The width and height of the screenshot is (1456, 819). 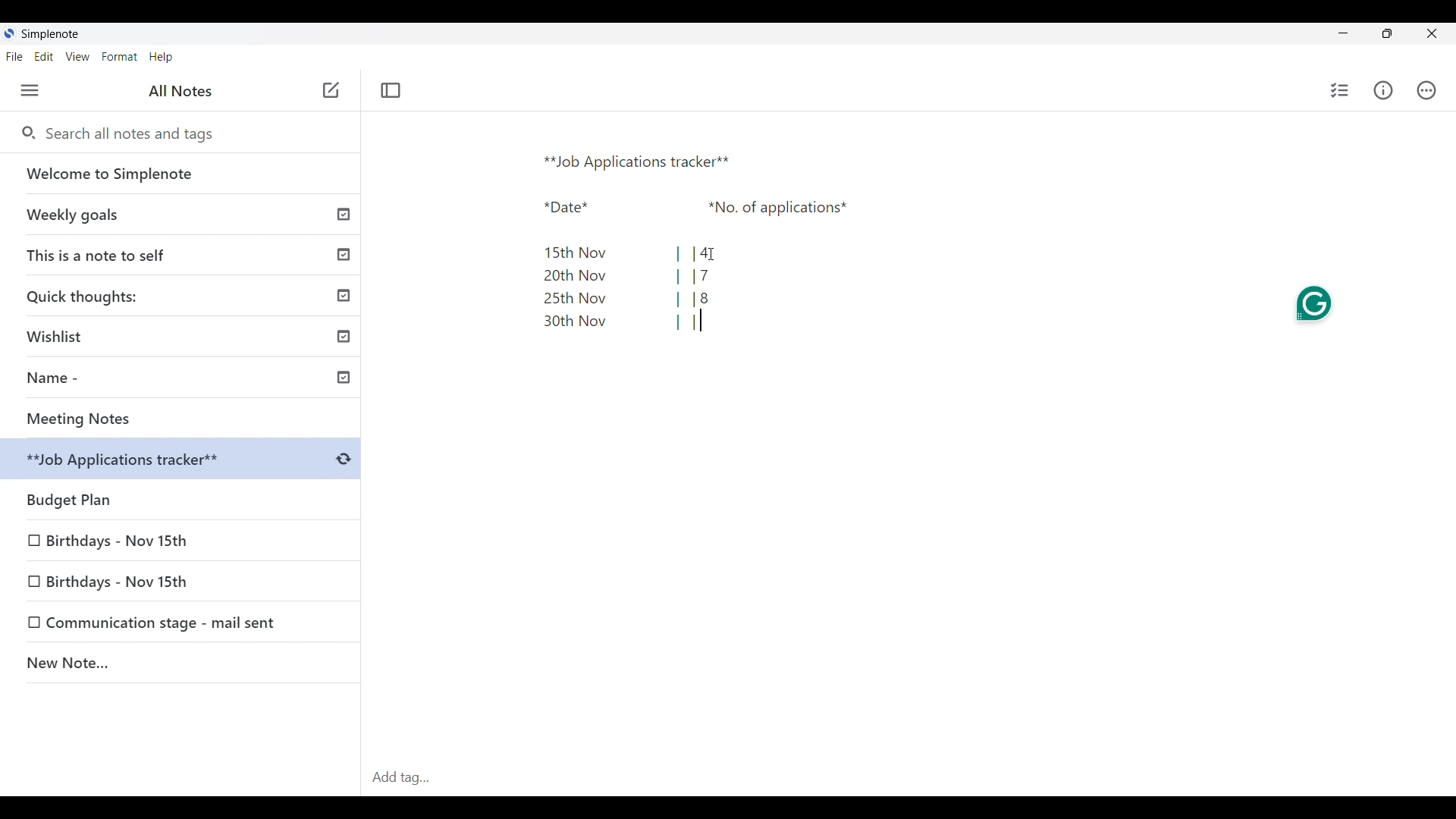 I want to click on Click to type in tag, so click(x=908, y=778).